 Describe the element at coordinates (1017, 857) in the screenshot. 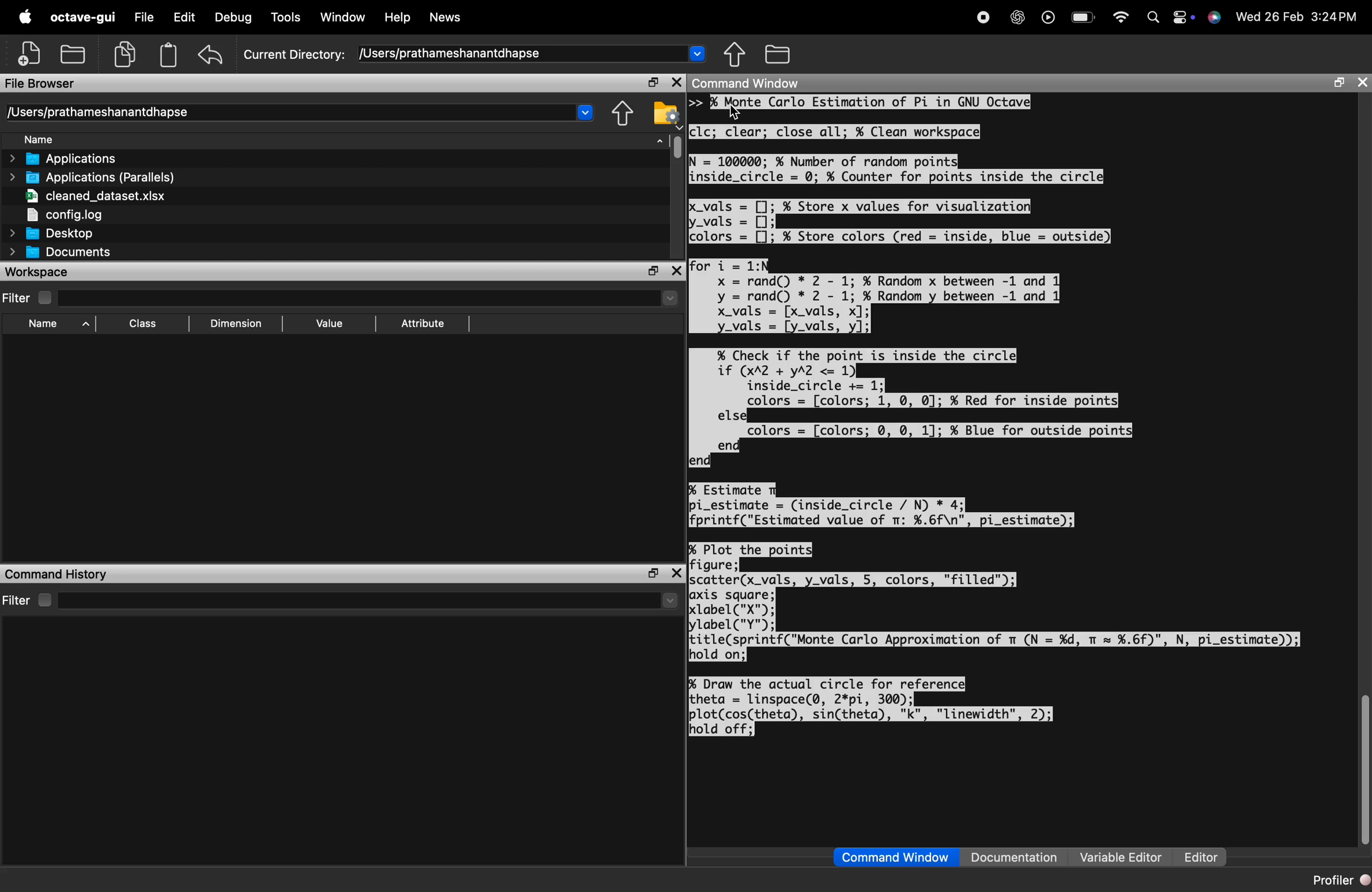

I see `Documentation` at that location.